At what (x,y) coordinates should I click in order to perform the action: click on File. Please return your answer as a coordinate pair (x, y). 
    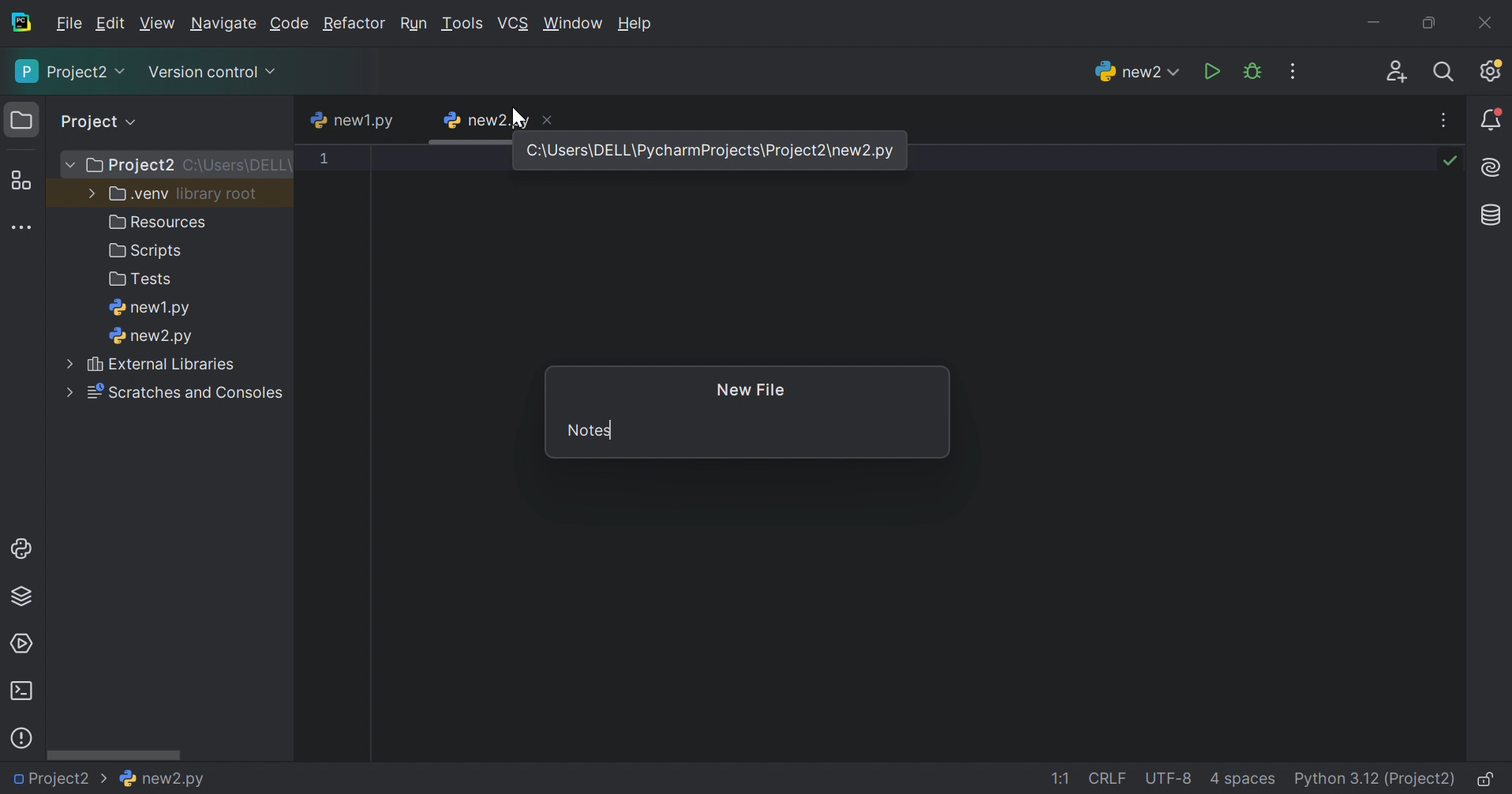
    Looking at the image, I should click on (69, 24).